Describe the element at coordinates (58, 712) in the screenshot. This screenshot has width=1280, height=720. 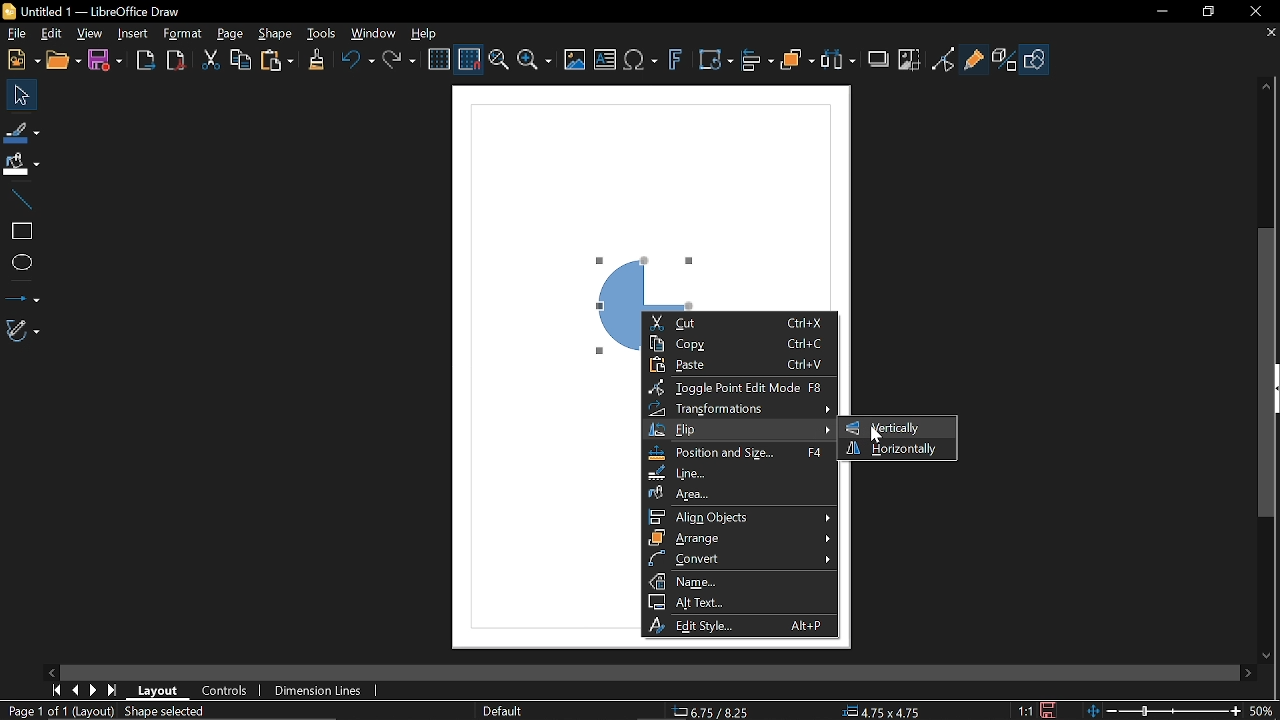
I see `Page 1 of 1 (Layout)` at that location.